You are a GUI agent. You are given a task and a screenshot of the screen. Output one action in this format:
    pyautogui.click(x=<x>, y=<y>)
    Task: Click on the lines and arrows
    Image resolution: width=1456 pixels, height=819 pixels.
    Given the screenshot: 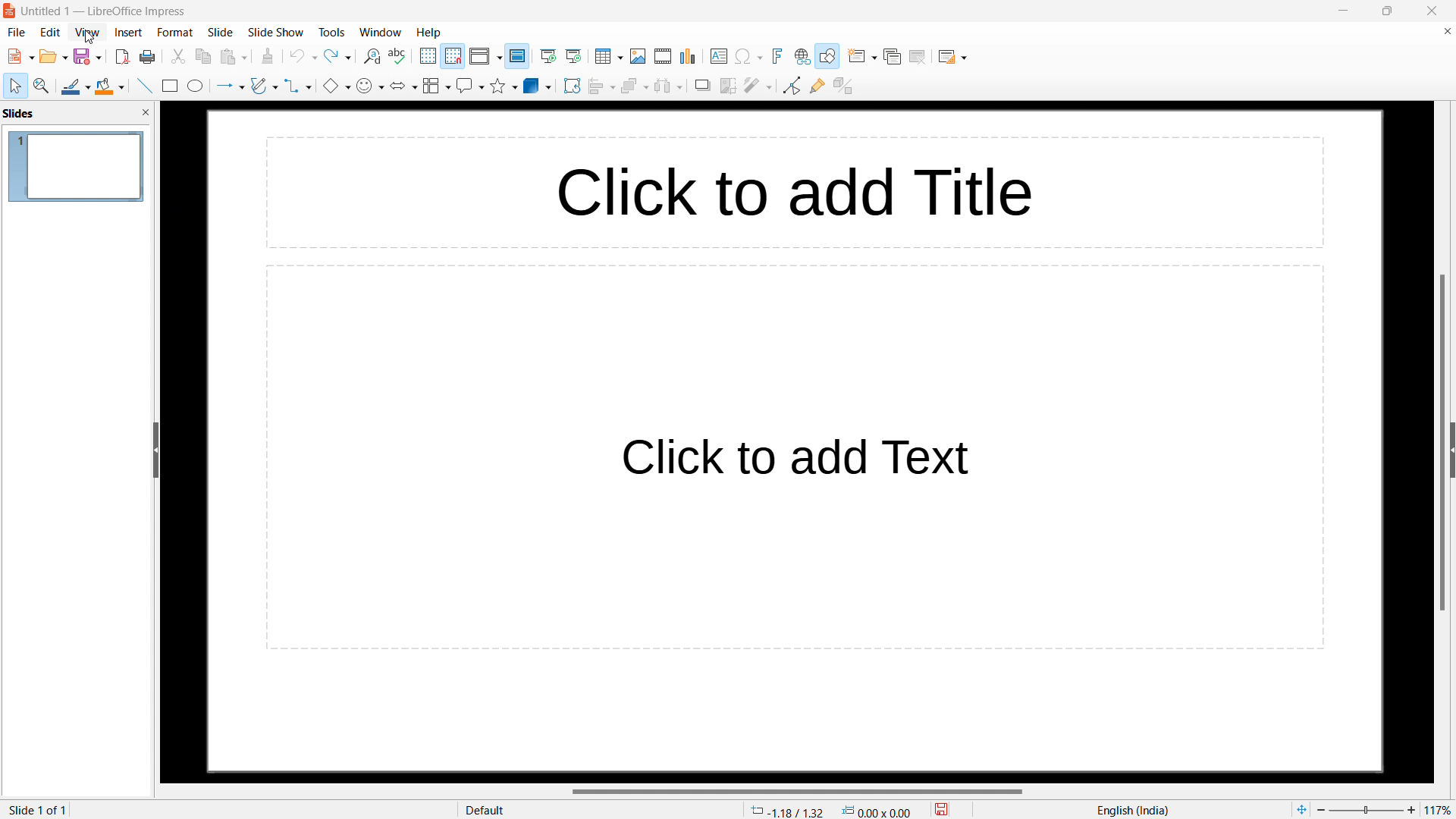 What is the action you would take?
    pyautogui.click(x=230, y=86)
    